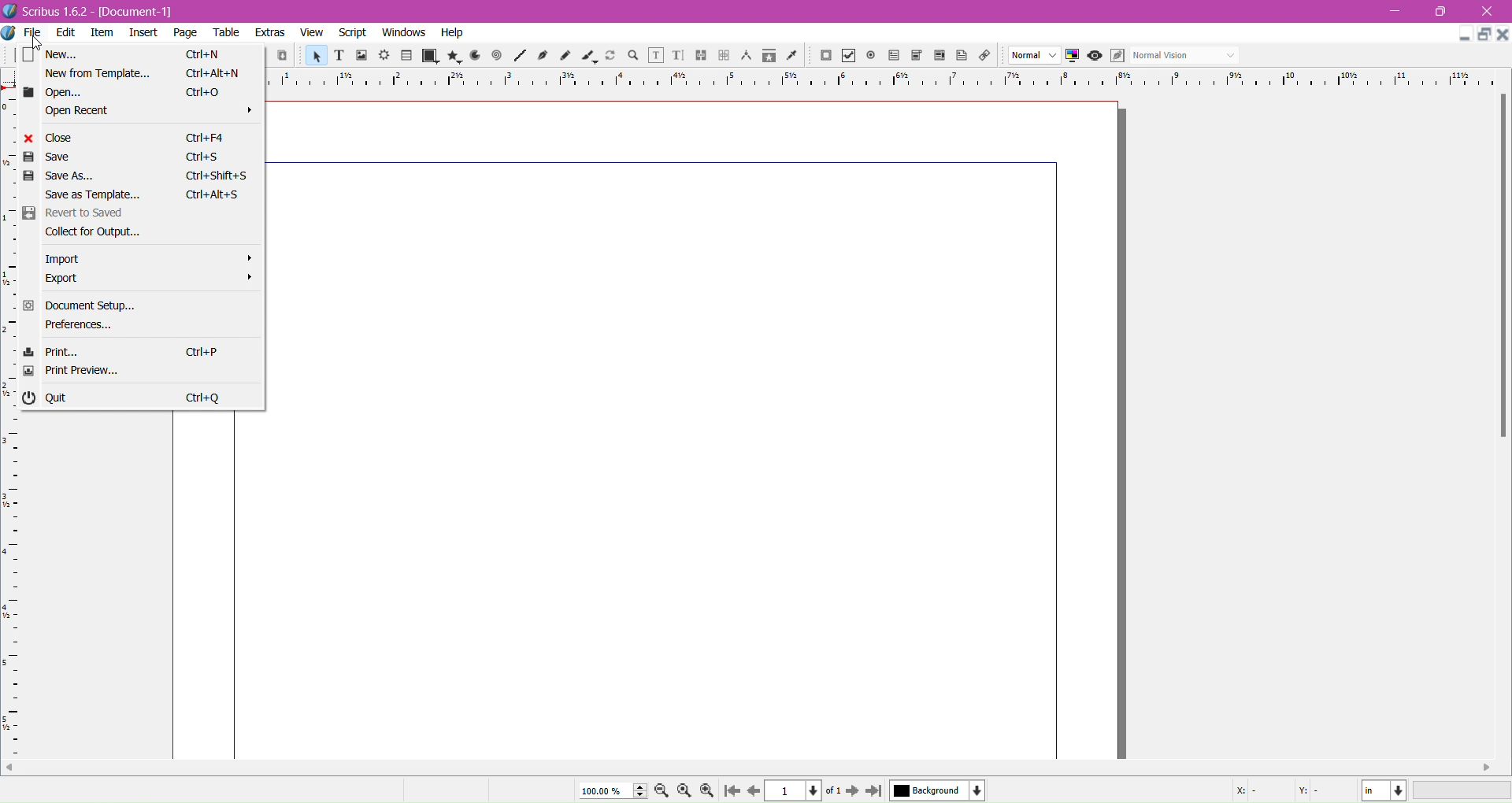  Describe the element at coordinates (676, 57) in the screenshot. I see `Edit Text with Story Editor` at that location.